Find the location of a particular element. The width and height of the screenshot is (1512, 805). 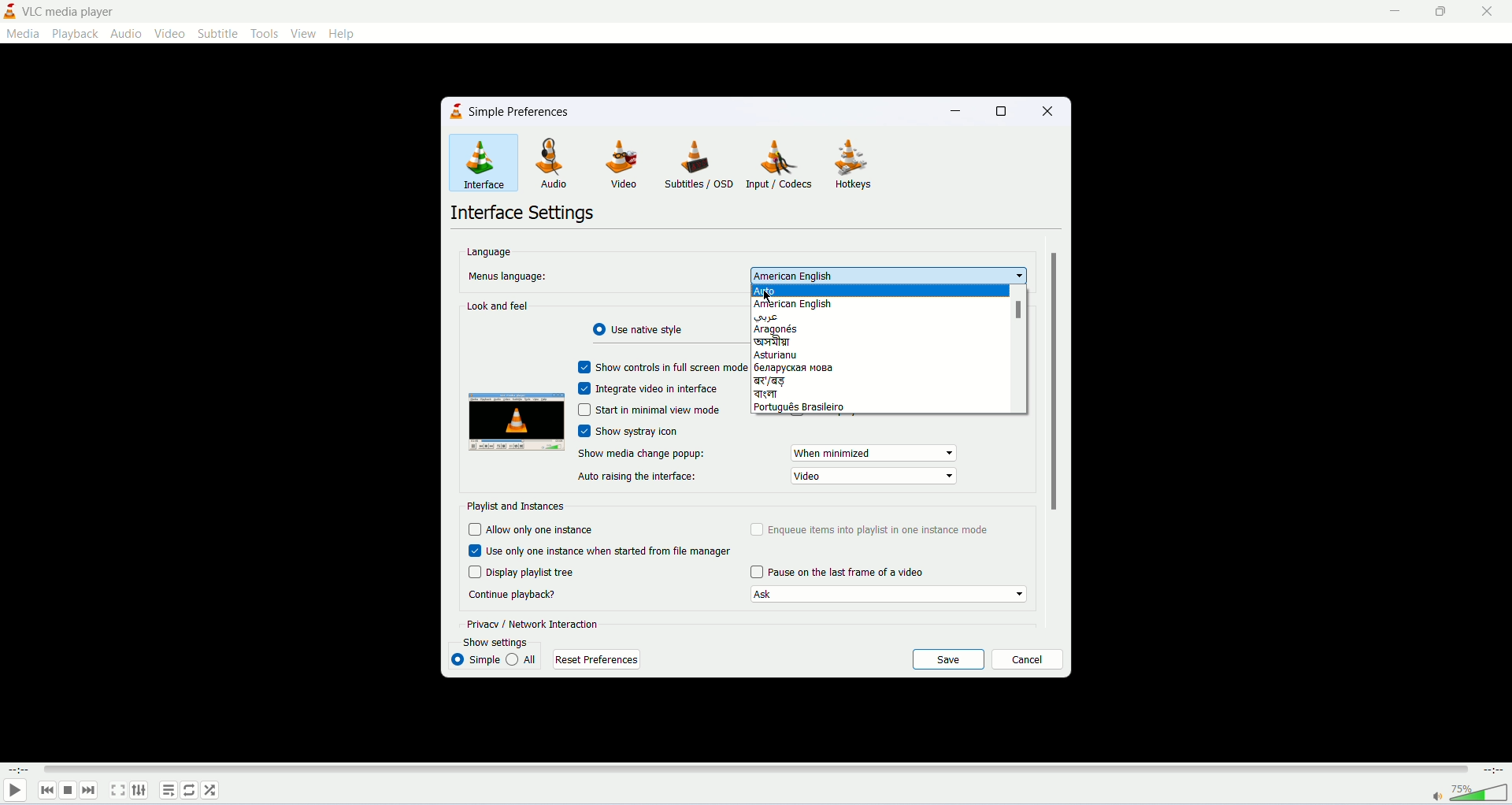

show control in fullscreen mode is located at coordinates (658, 367).